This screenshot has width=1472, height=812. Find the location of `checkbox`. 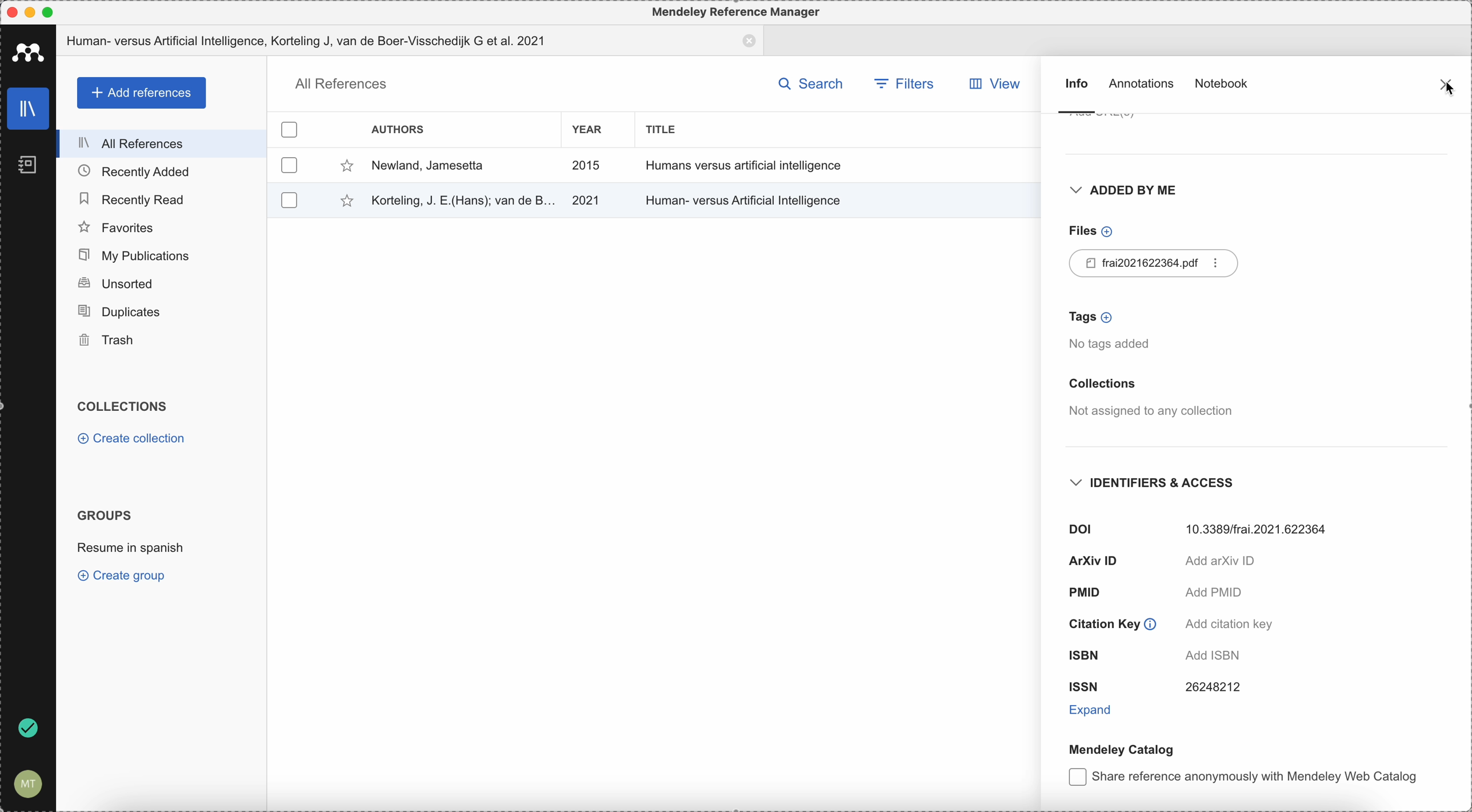

checkbox is located at coordinates (291, 127).